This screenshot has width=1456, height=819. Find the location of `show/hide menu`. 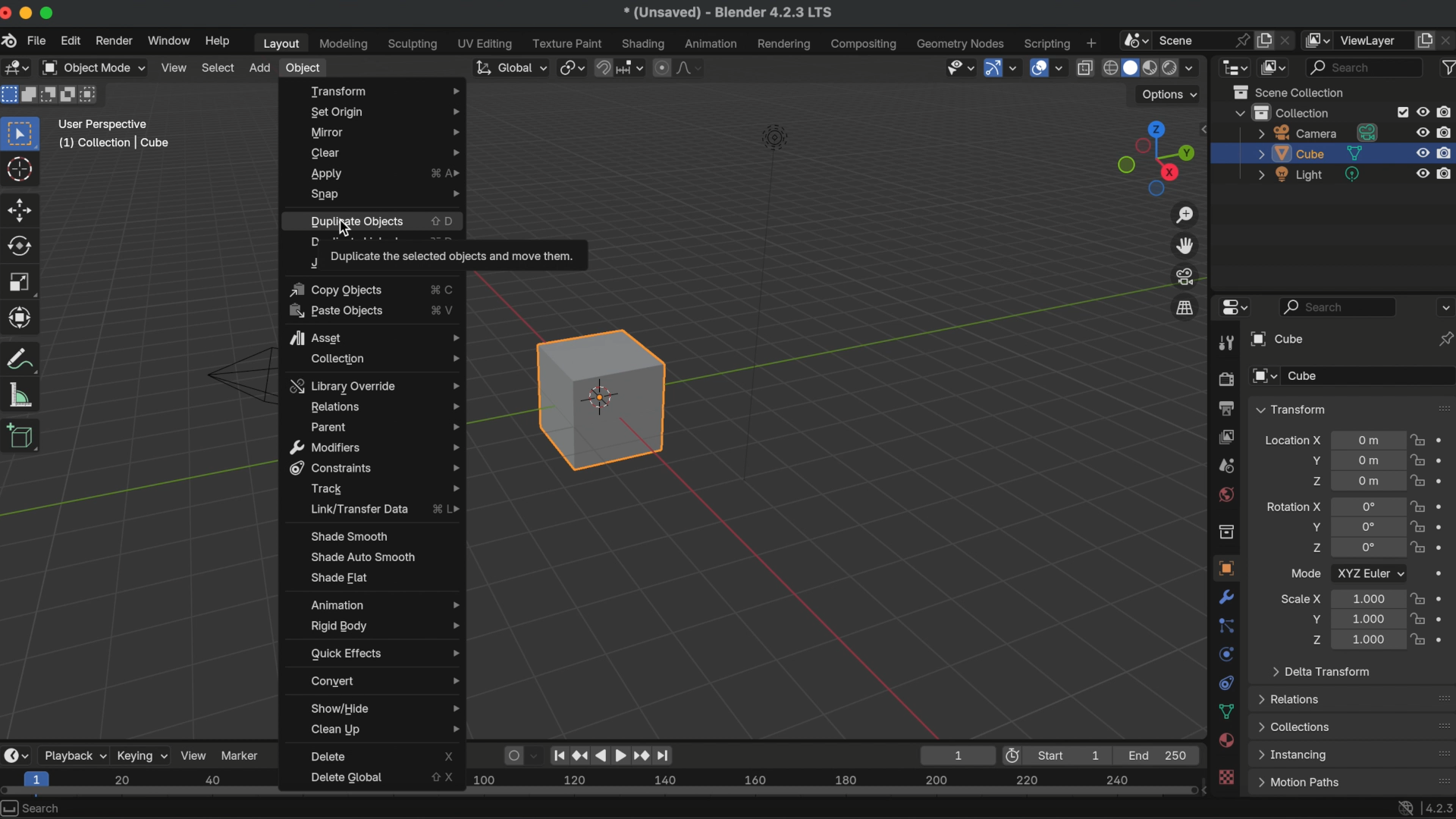

show/hide menu is located at coordinates (388, 707).